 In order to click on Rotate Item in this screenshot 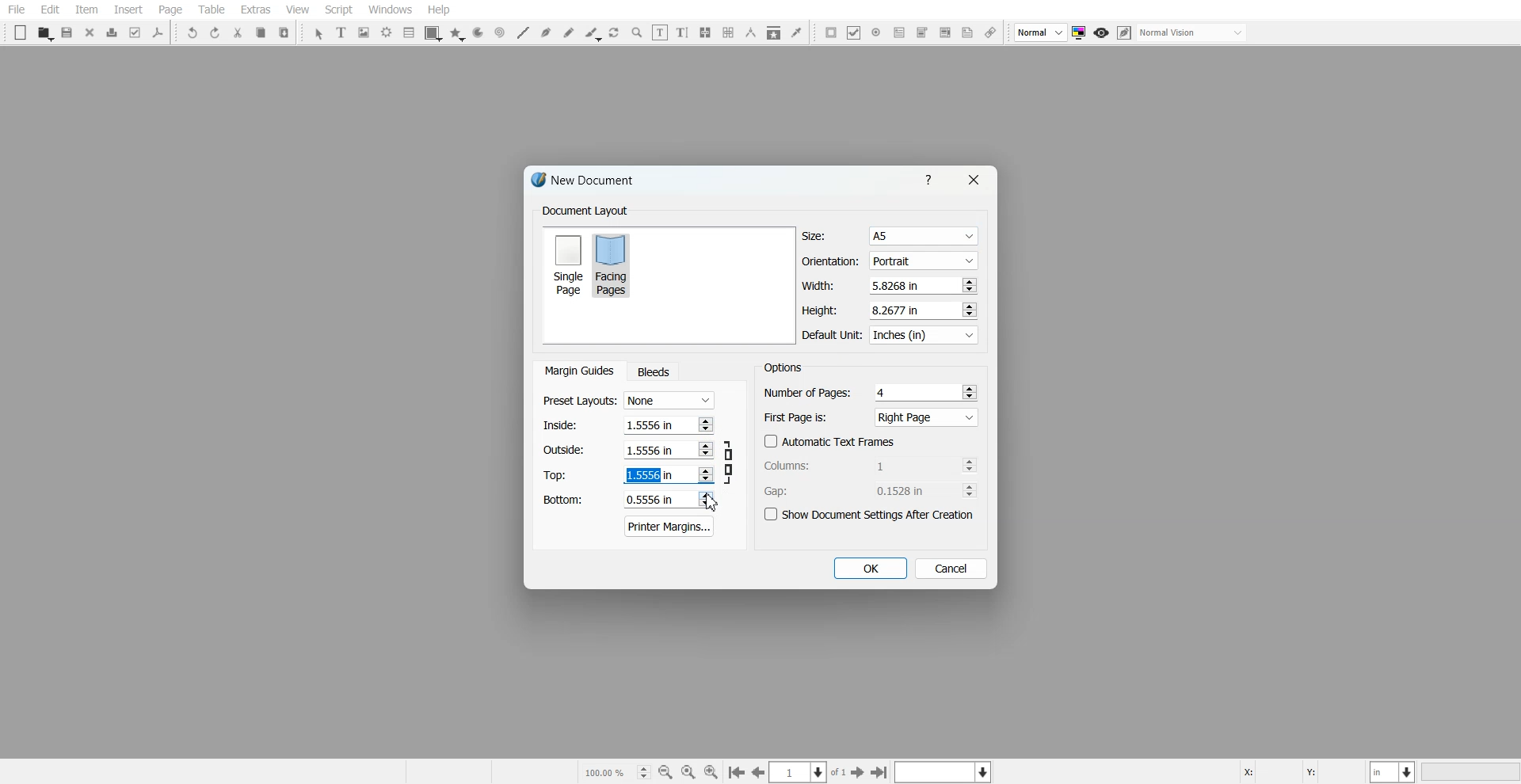, I will do `click(616, 33)`.